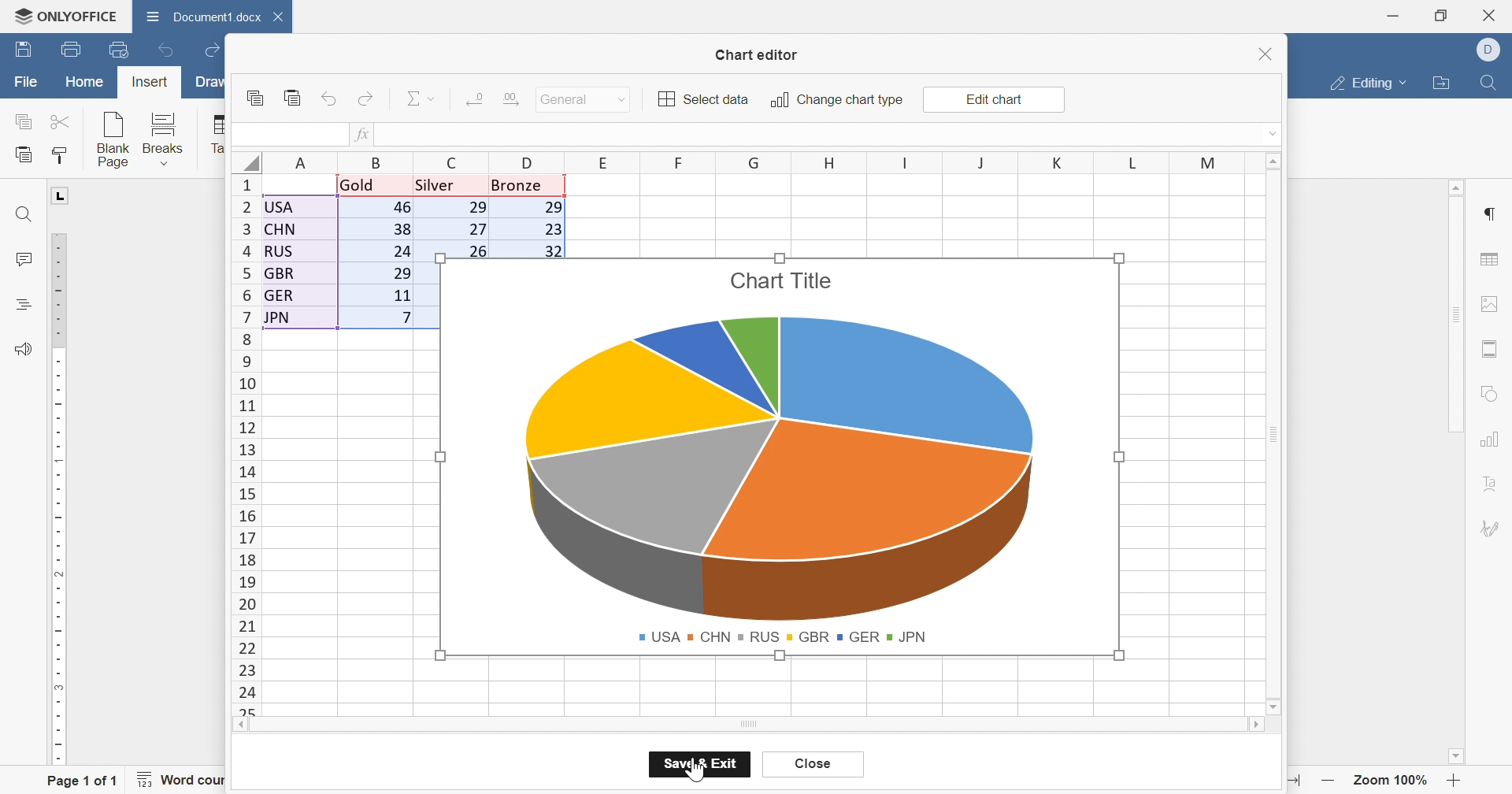 This screenshot has height=794, width=1512. I want to click on Scroll Down, so click(1455, 755).